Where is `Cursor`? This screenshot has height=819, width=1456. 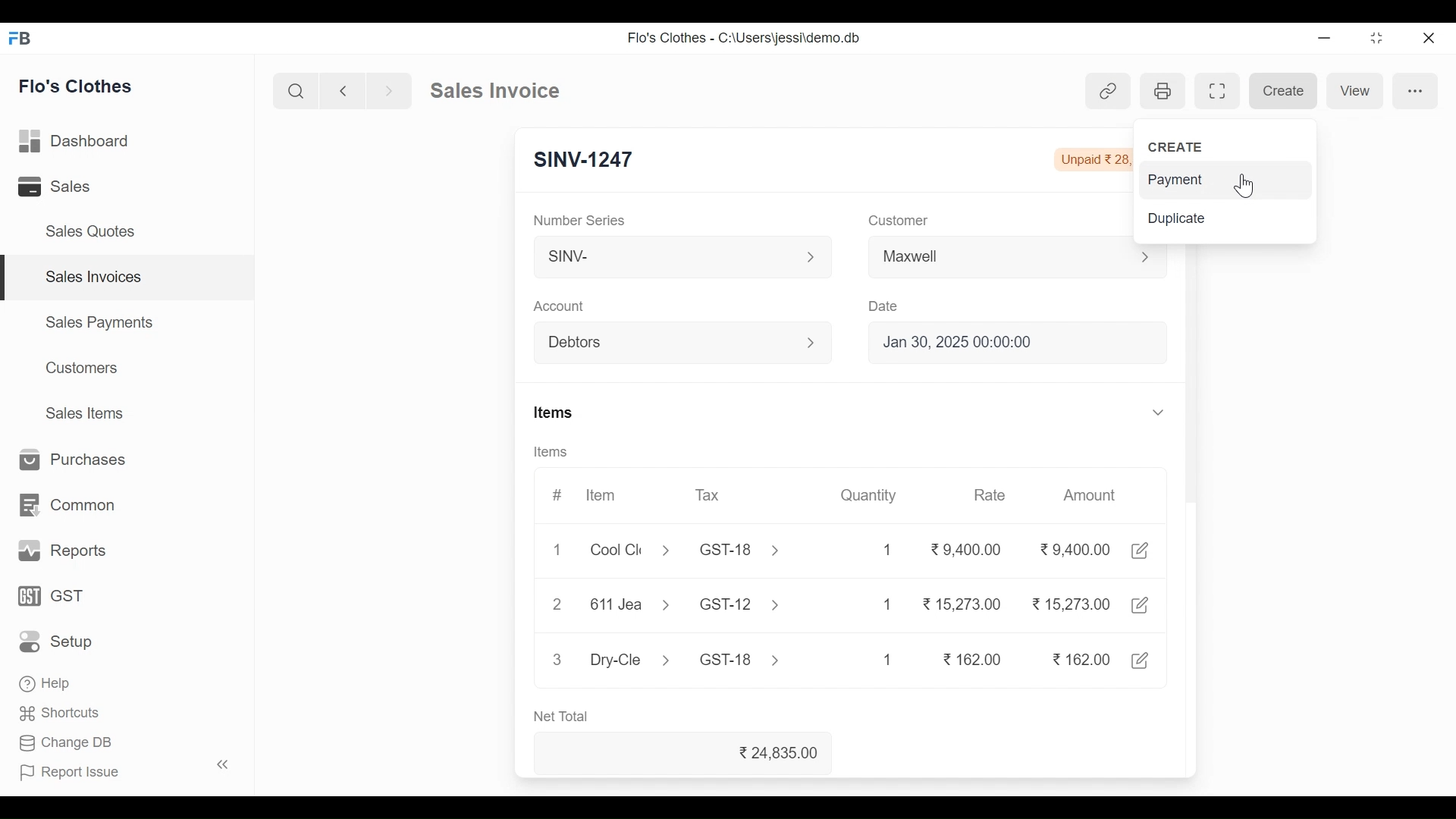 Cursor is located at coordinates (1247, 184).